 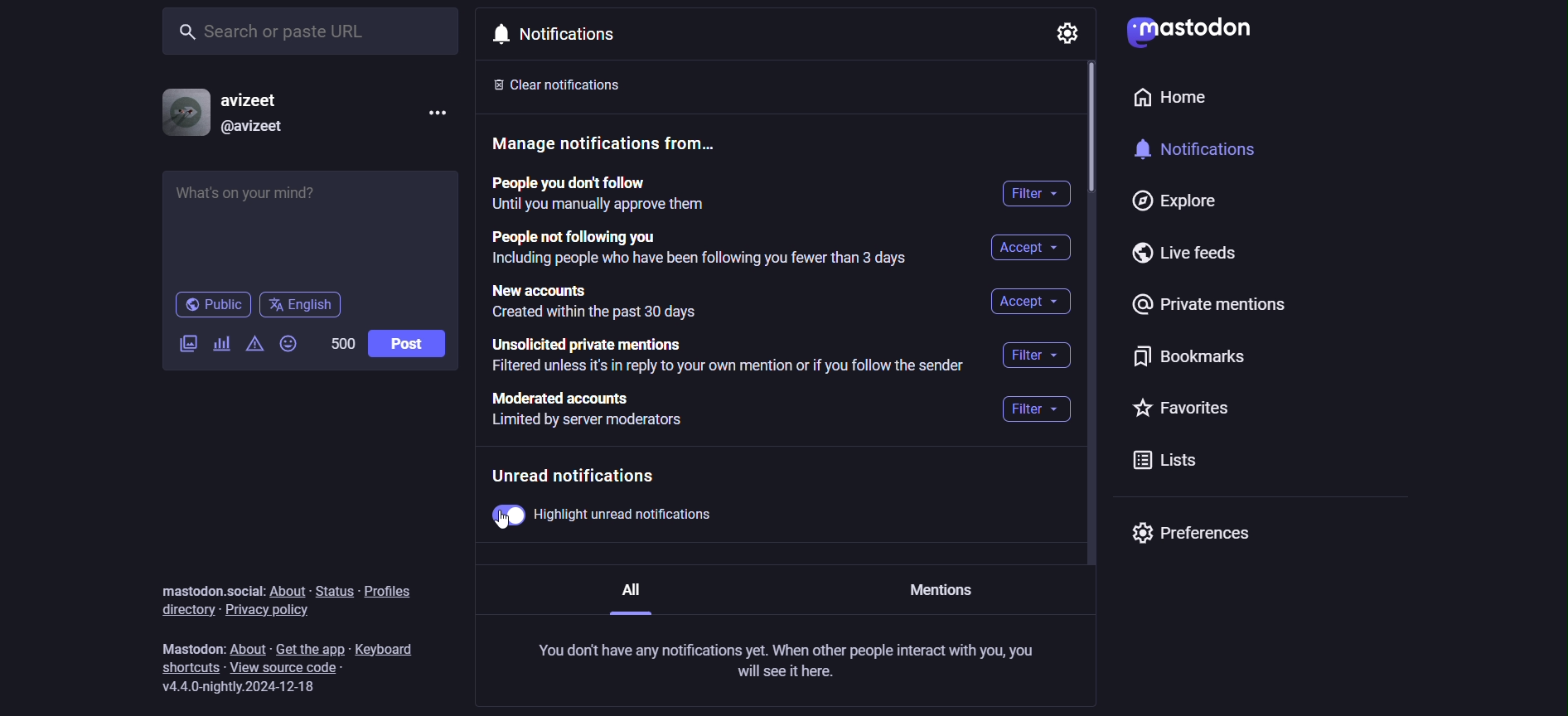 I want to click on notification, so click(x=1210, y=154).